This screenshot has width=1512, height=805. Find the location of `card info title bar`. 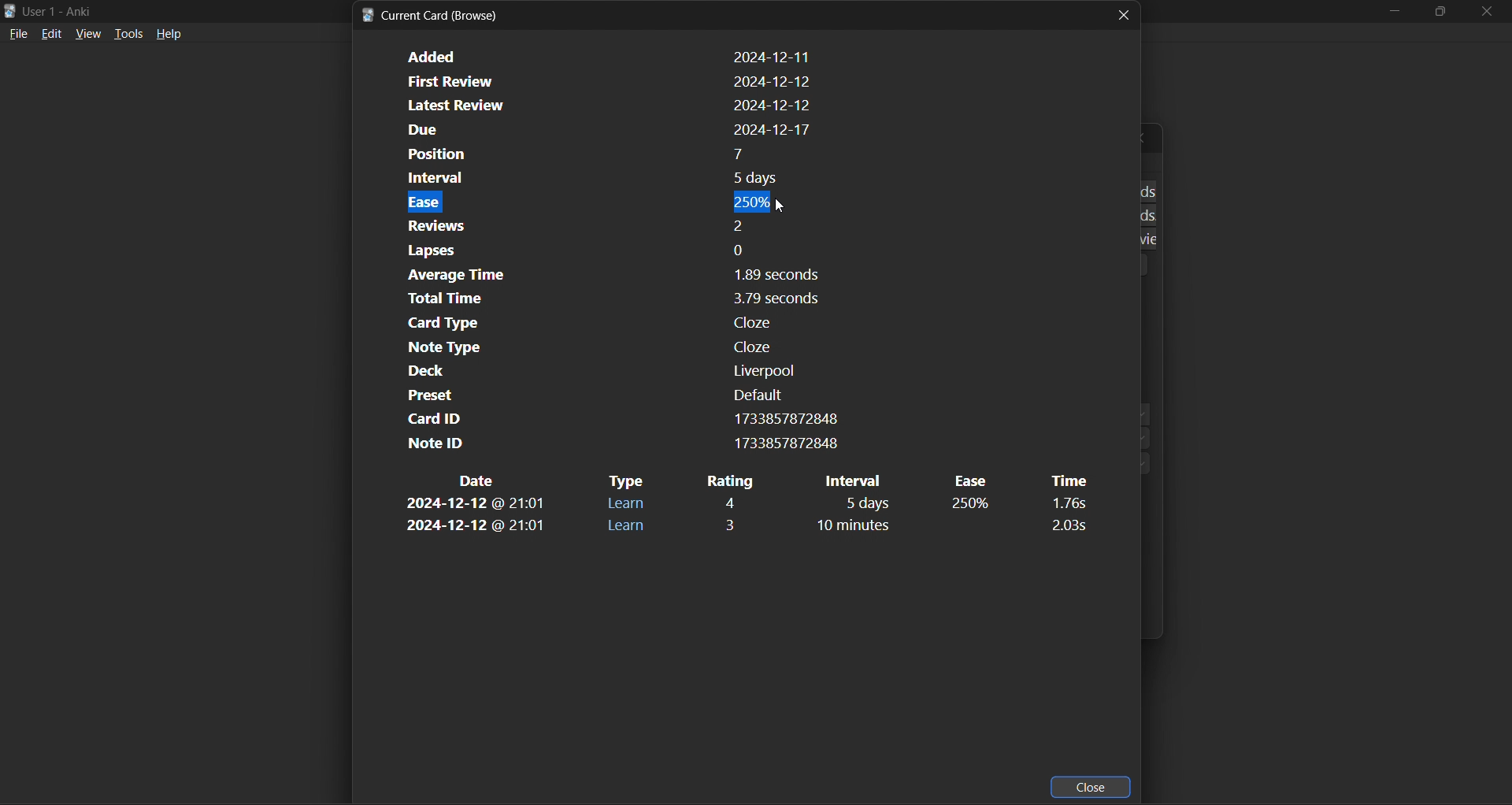

card info title bar is located at coordinates (434, 15).